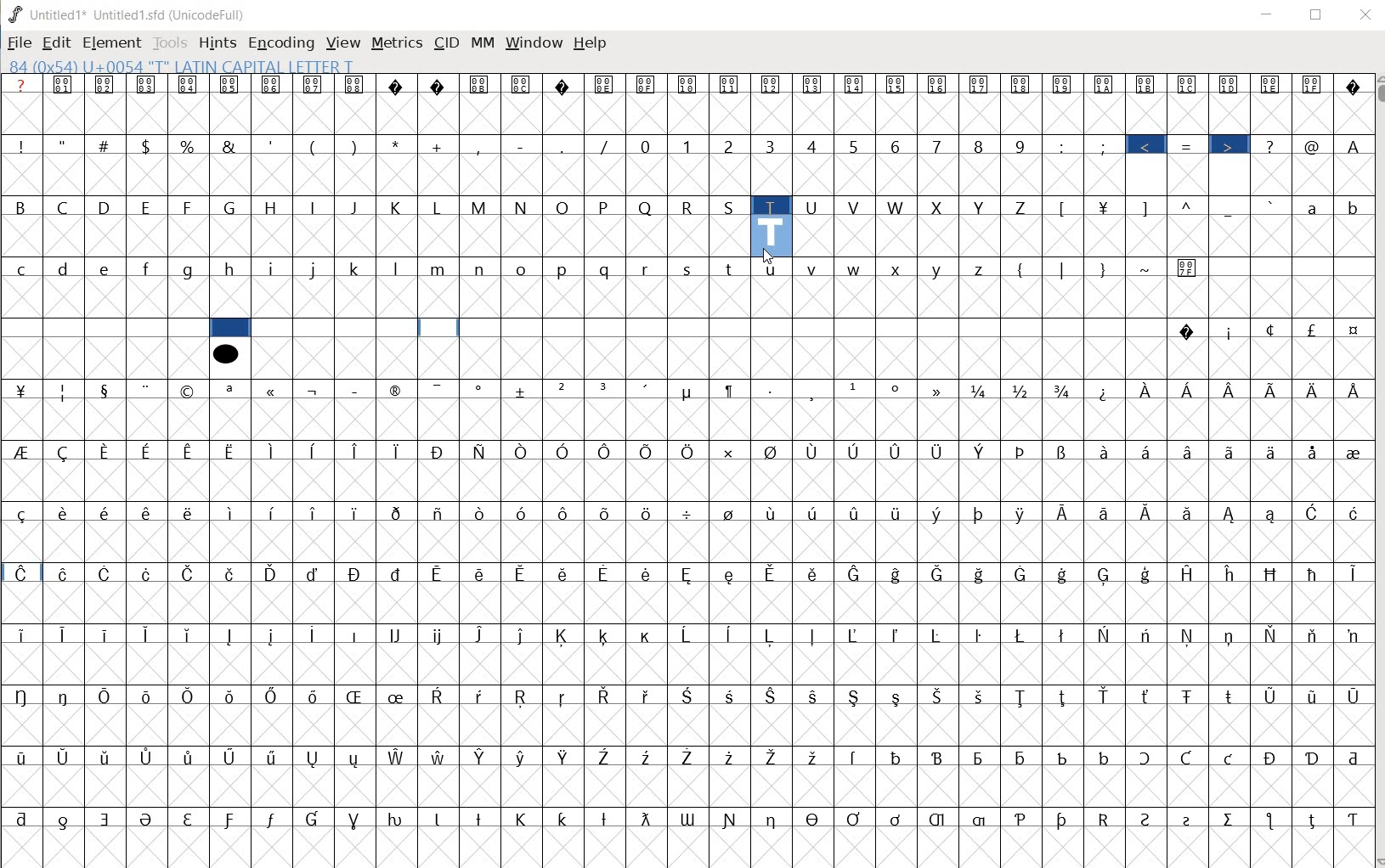  What do you see at coordinates (773, 147) in the screenshot?
I see `3` at bounding box center [773, 147].